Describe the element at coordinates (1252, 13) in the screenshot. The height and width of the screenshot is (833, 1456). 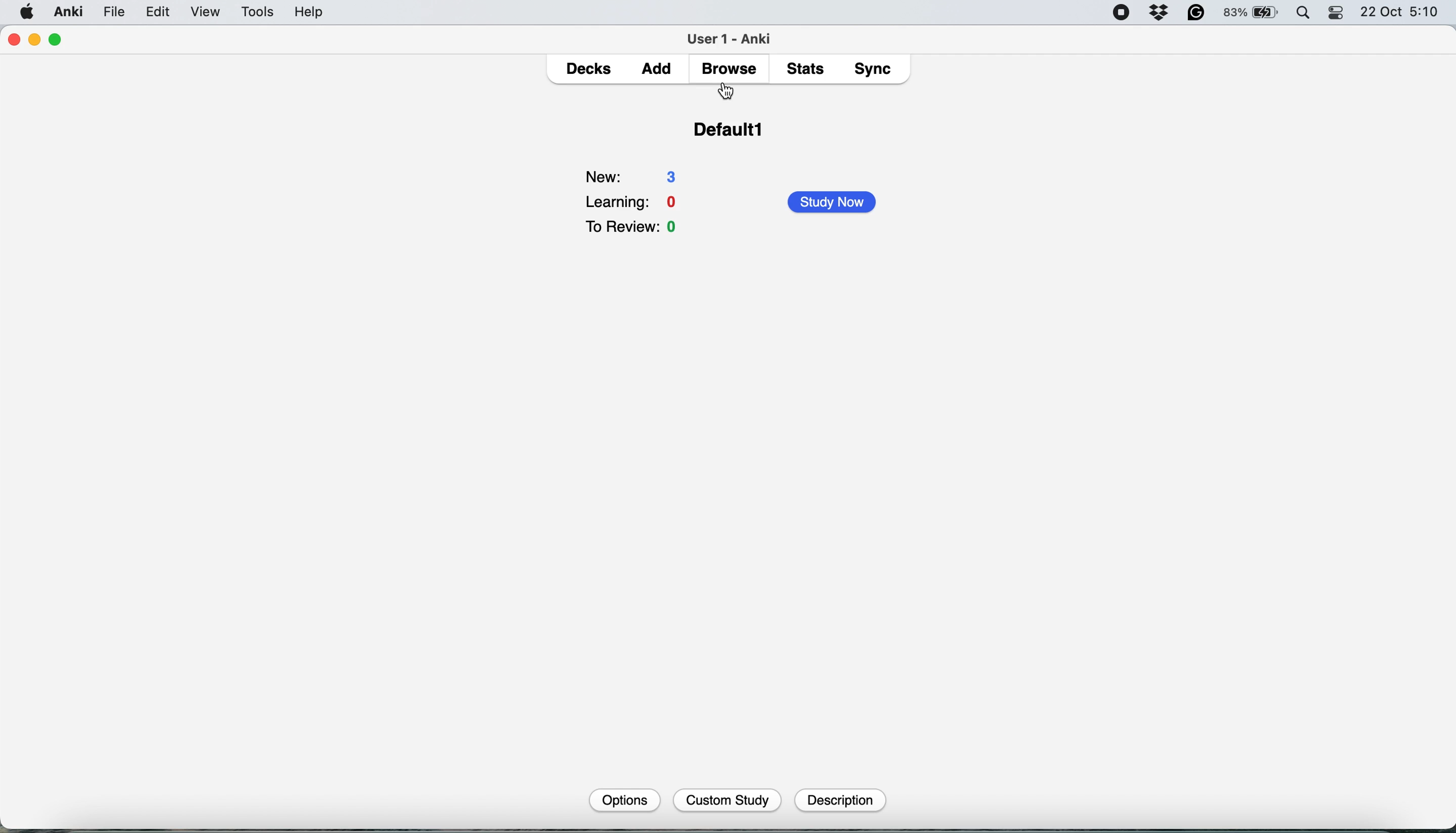
I see `battery` at that location.